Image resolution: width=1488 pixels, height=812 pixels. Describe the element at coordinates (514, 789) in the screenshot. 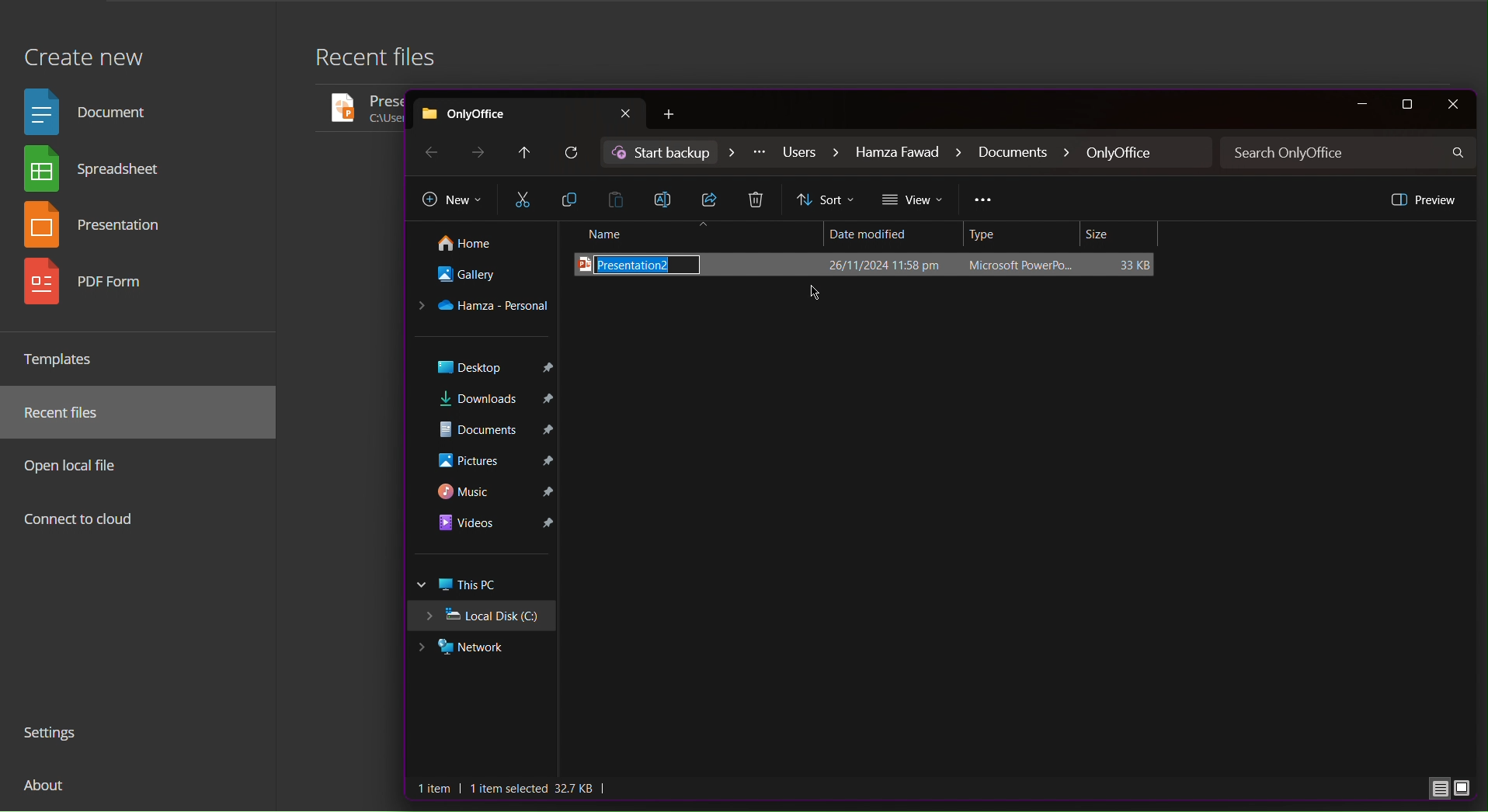

I see `litem | 1item selected 327KB |` at that location.